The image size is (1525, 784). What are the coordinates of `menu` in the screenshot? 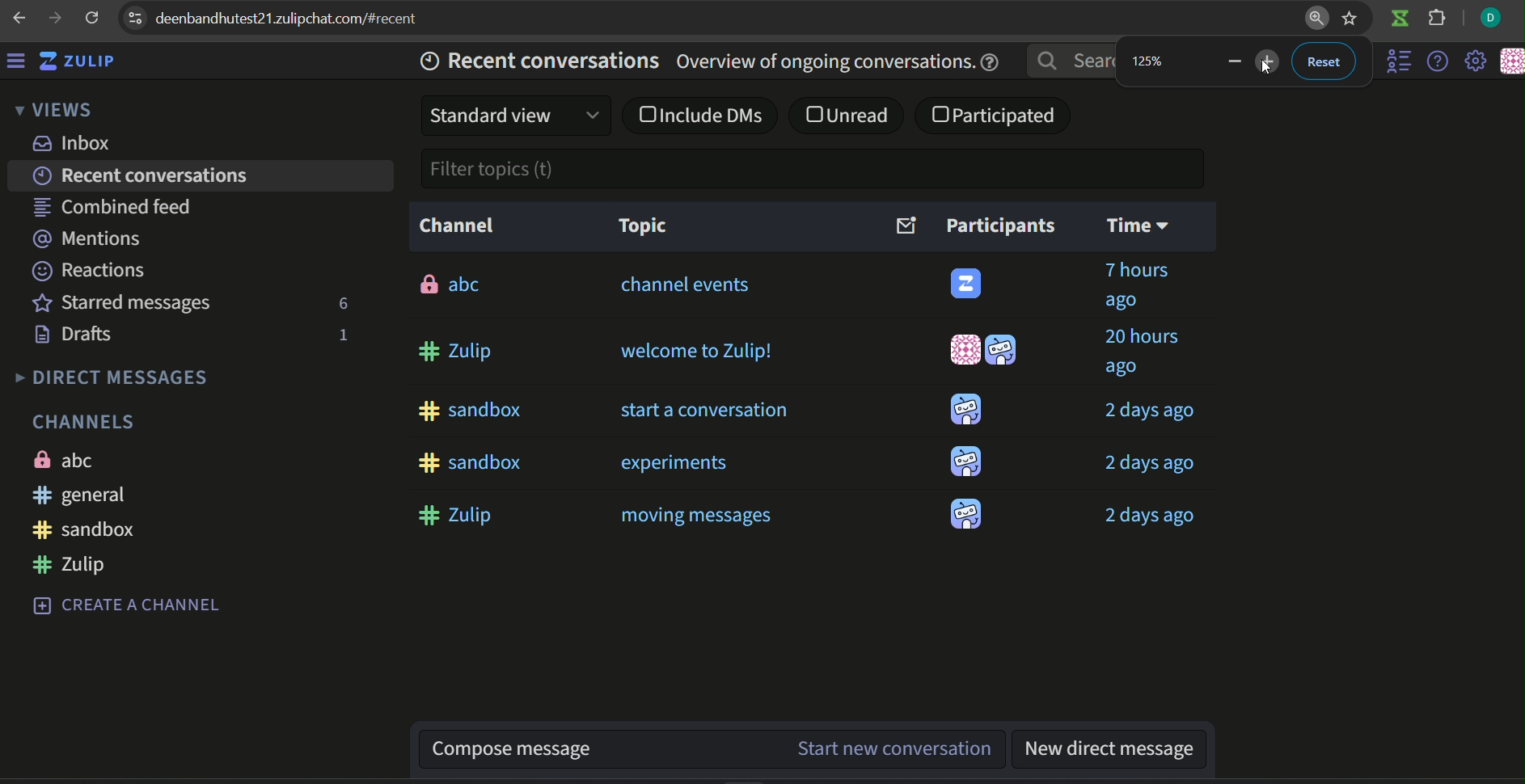 It's located at (20, 63).